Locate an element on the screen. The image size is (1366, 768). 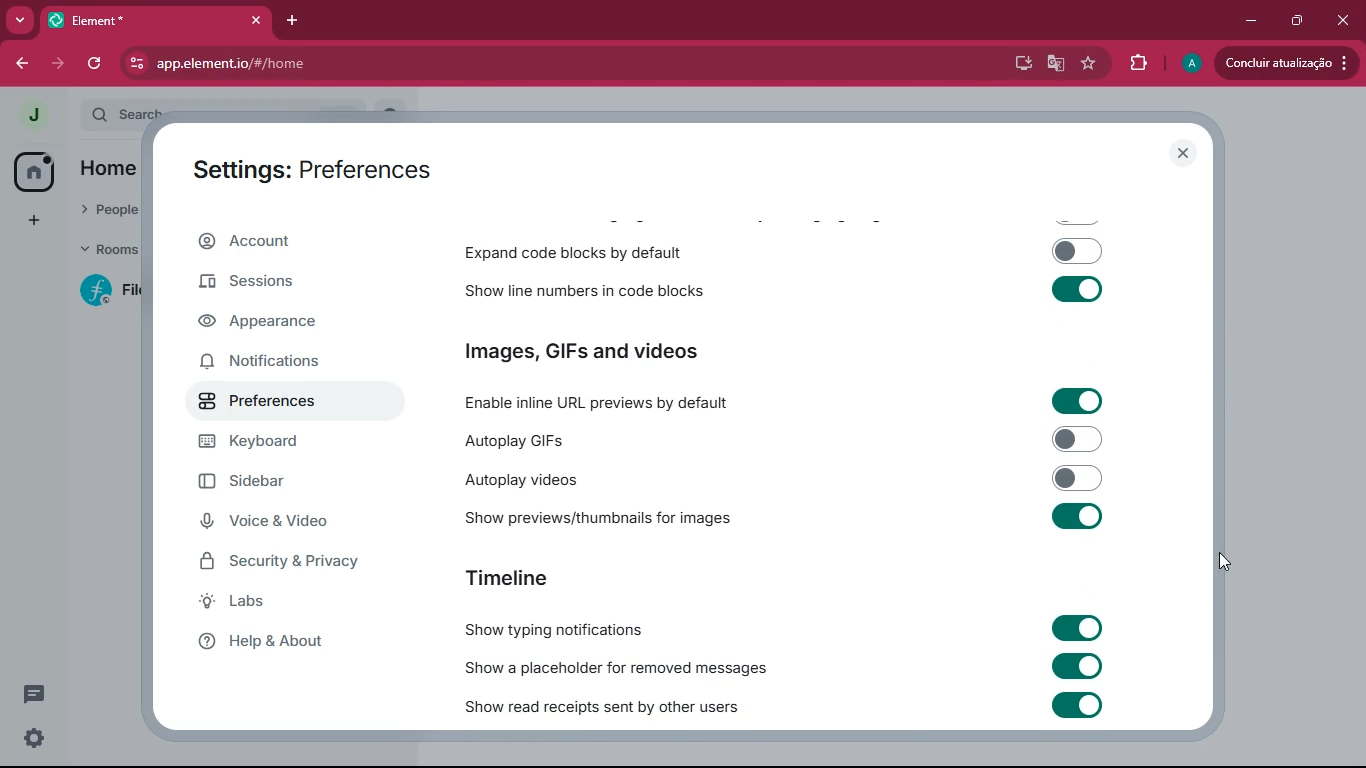
desktop is located at coordinates (1019, 64).